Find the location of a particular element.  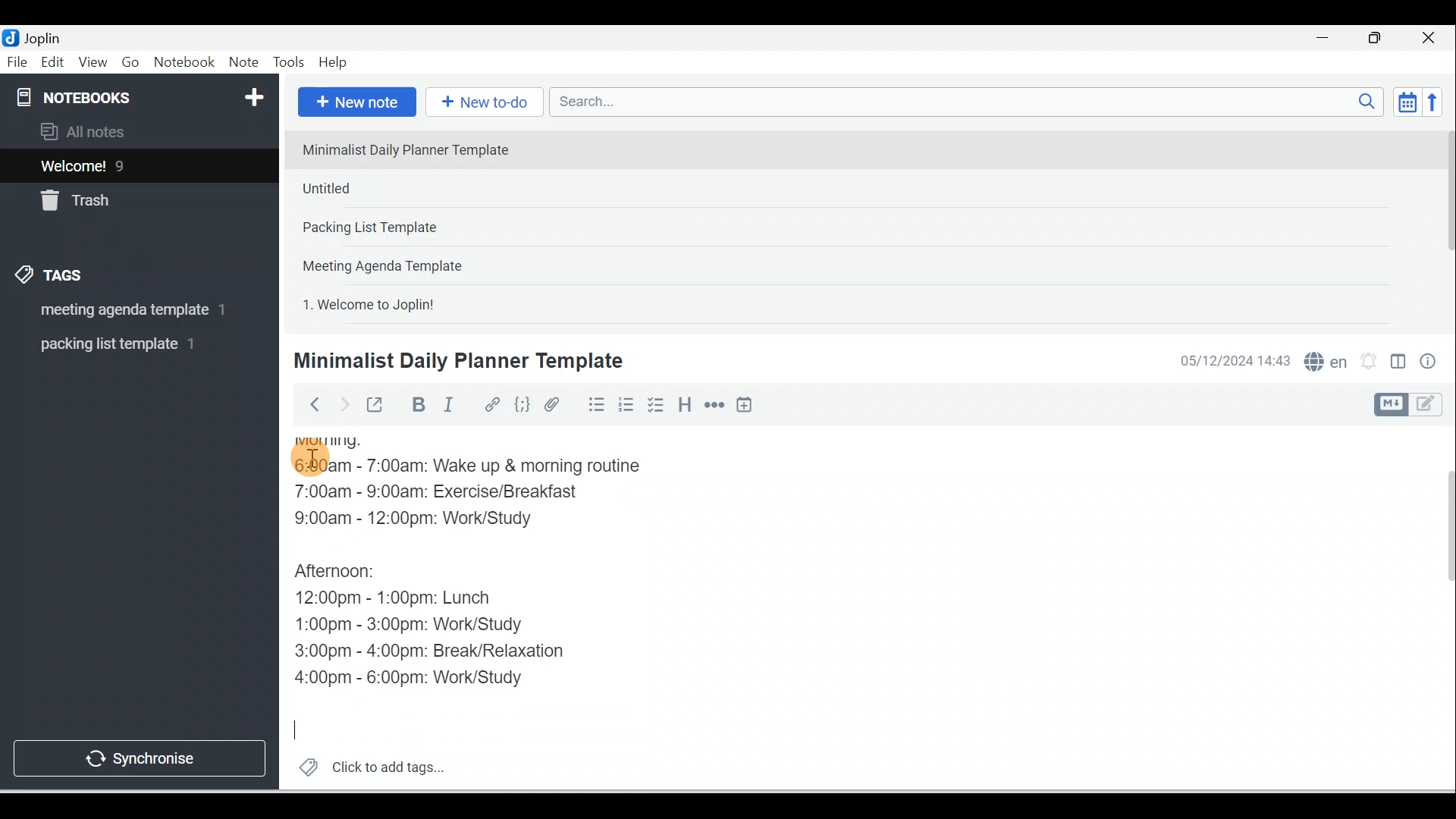

Tag 2 is located at coordinates (128, 344).